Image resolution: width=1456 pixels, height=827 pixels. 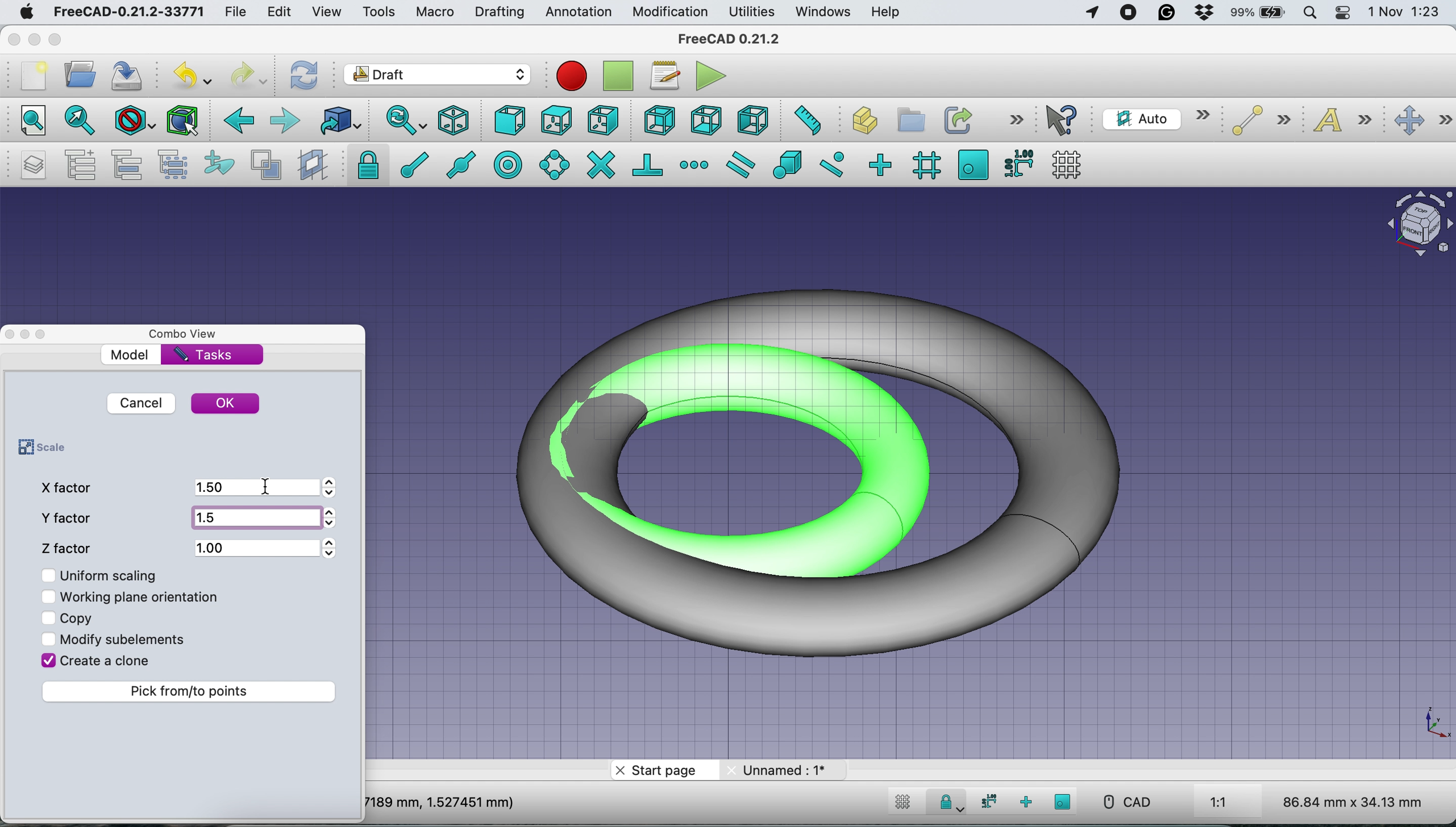 What do you see at coordinates (49, 597) in the screenshot?
I see `Checkbox` at bounding box center [49, 597].